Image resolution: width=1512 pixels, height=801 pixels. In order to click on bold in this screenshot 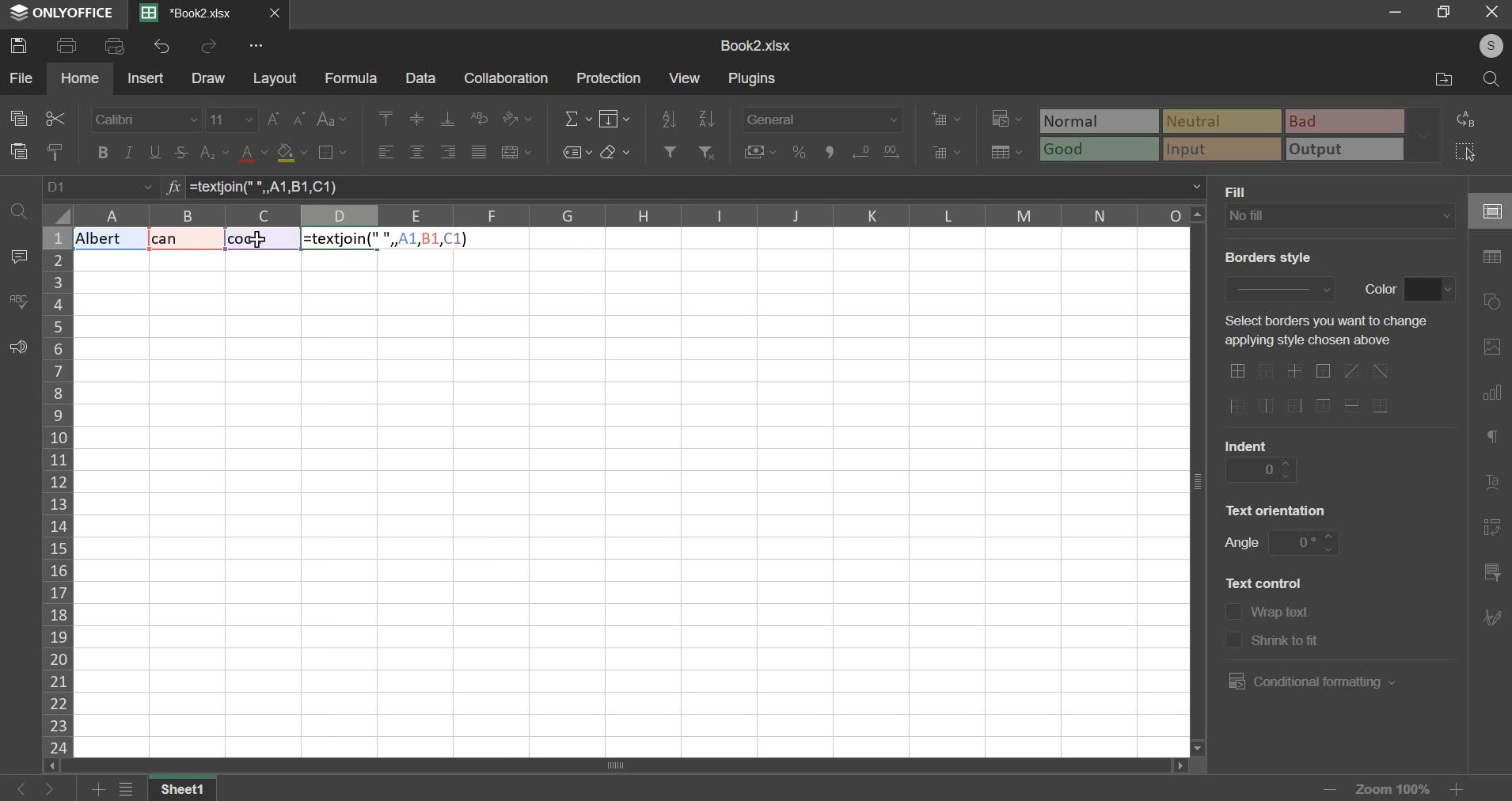, I will do `click(101, 152)`.